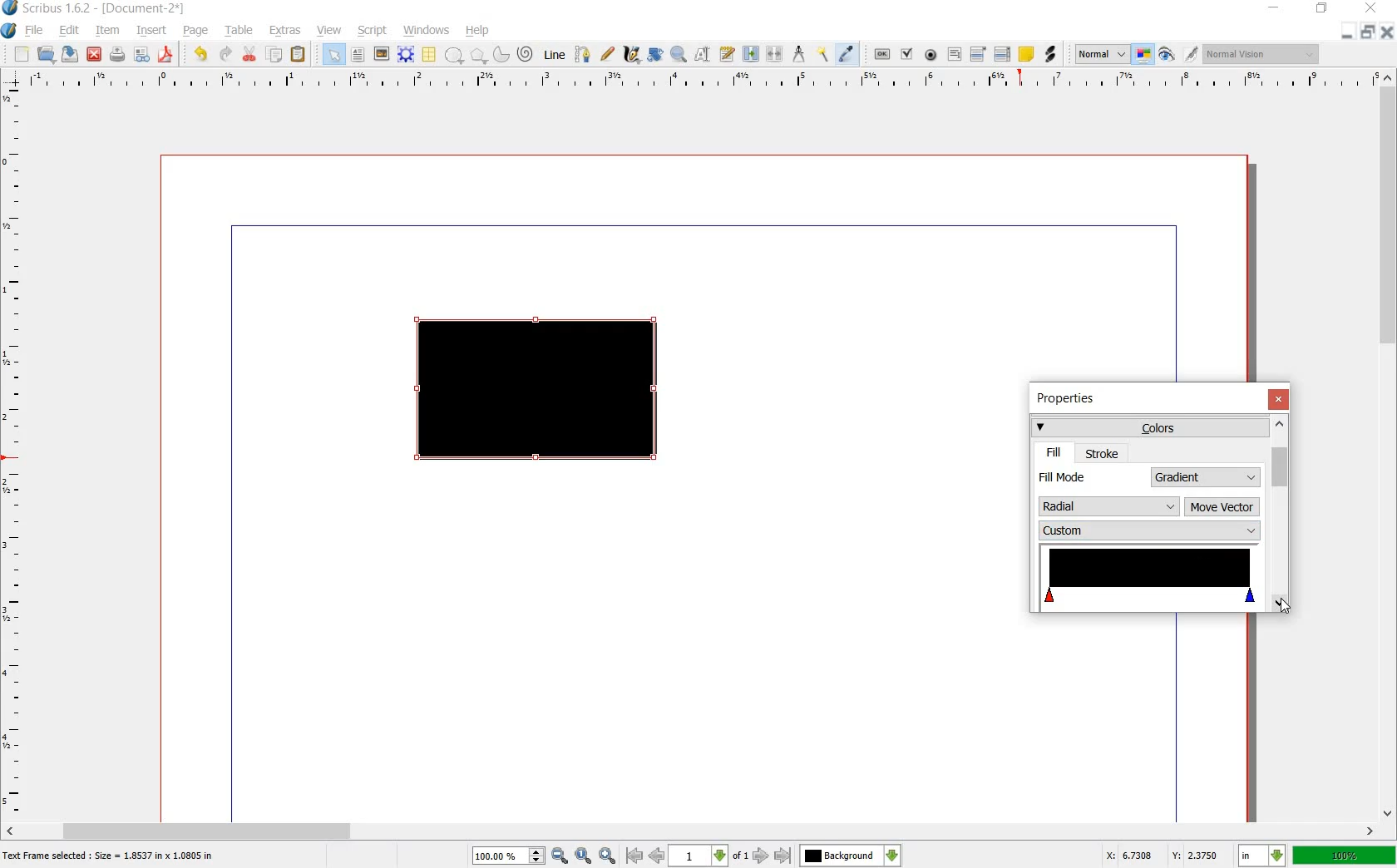 The image size is (1397, 868). What do you see at coordinates (608, 856) in the screenshot?
I see `zoom in` at bounding box center [608, 856].